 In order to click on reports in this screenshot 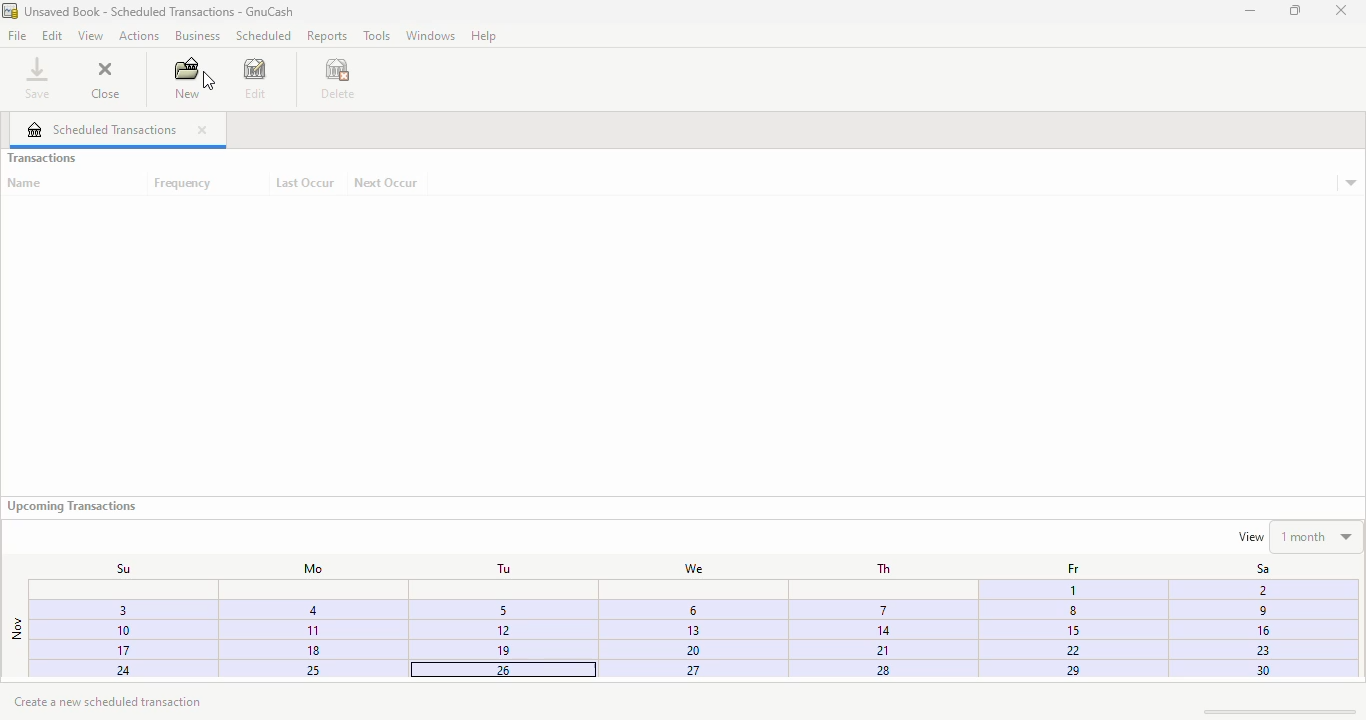, I will do `click(328, 35)`.